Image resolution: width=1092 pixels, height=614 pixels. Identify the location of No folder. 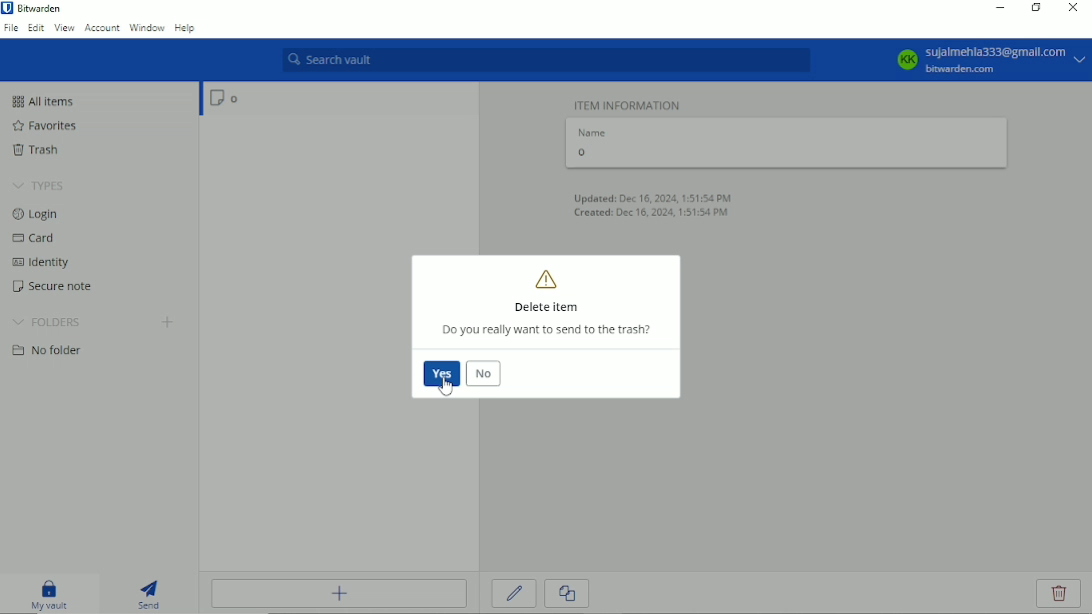
(45, 351).